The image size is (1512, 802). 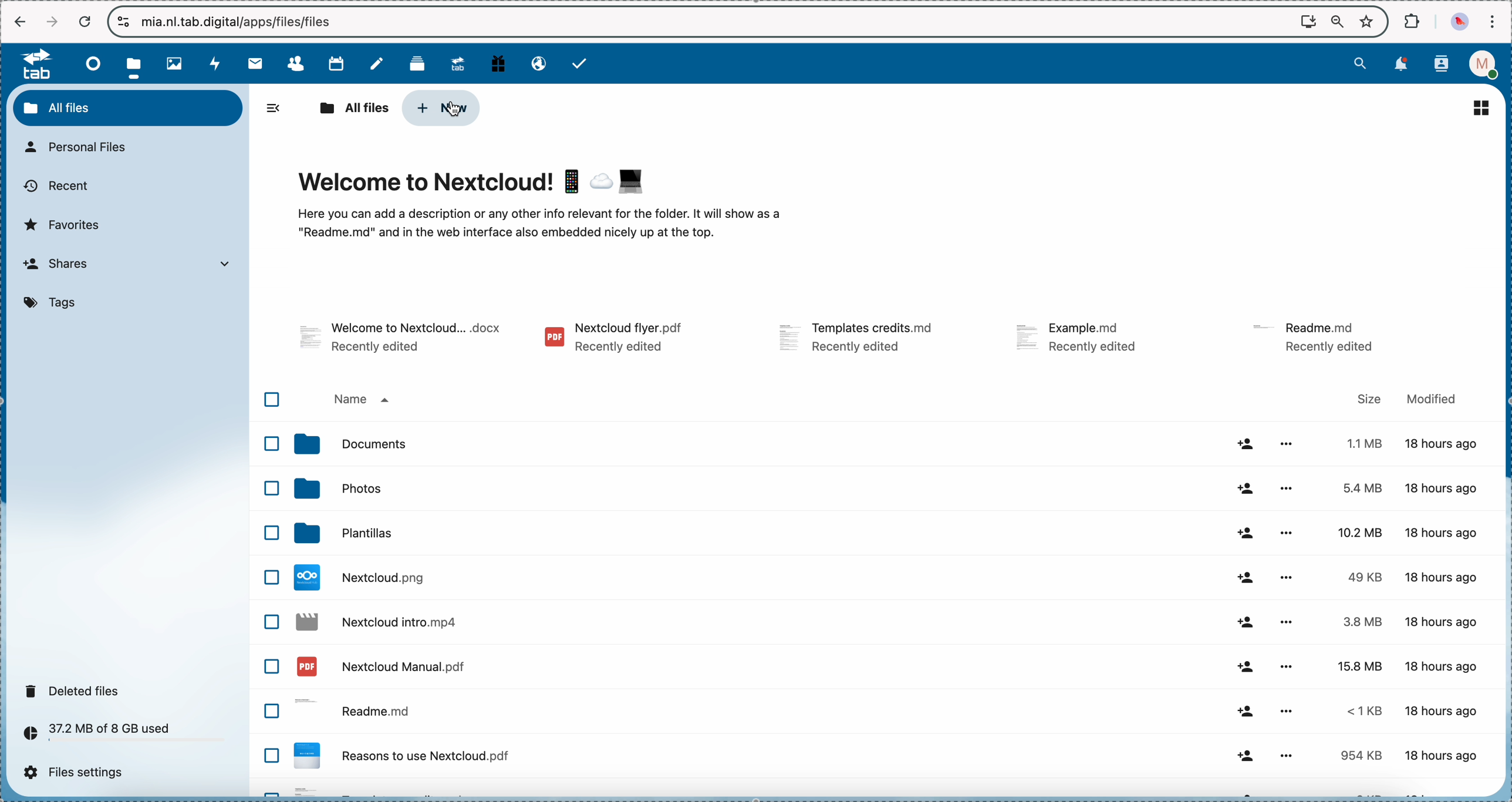 What do you see at coordinates (1245, 754) in the screenshot?
I see `share` at bounding box center [1245, 754].